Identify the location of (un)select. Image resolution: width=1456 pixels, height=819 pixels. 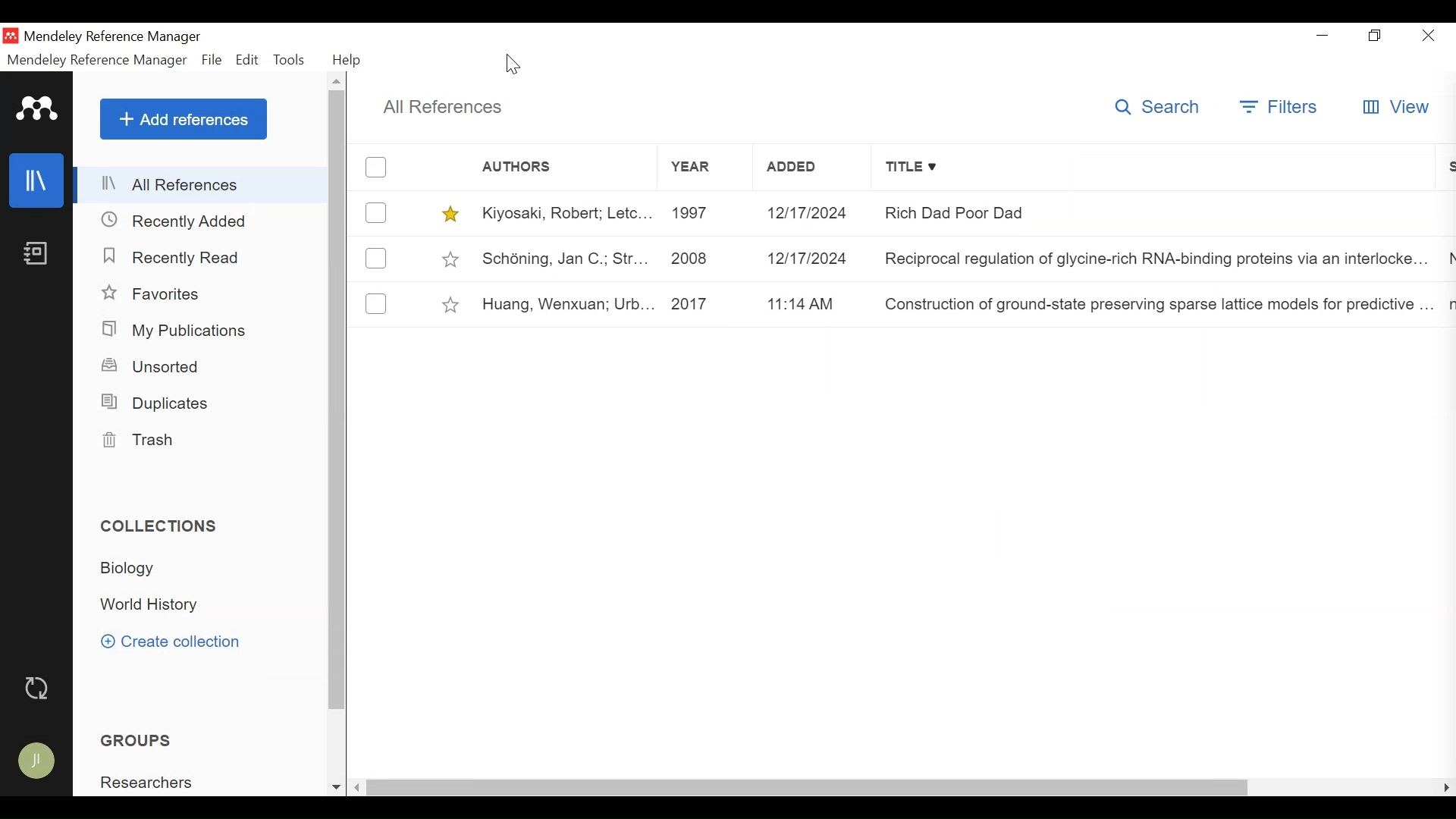
(374, 259).